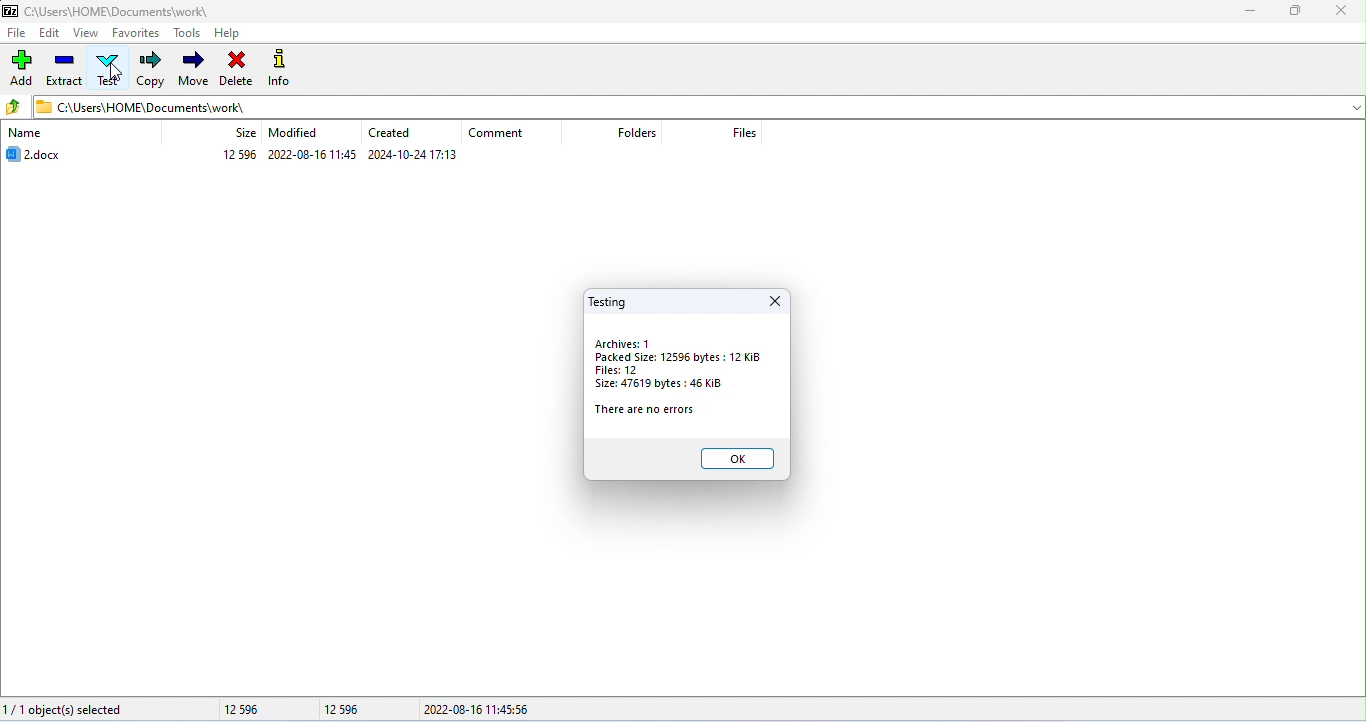 Image resolution: width=1366 pixels, height=722 pixels. I want to click on comment, so click(497, 134).